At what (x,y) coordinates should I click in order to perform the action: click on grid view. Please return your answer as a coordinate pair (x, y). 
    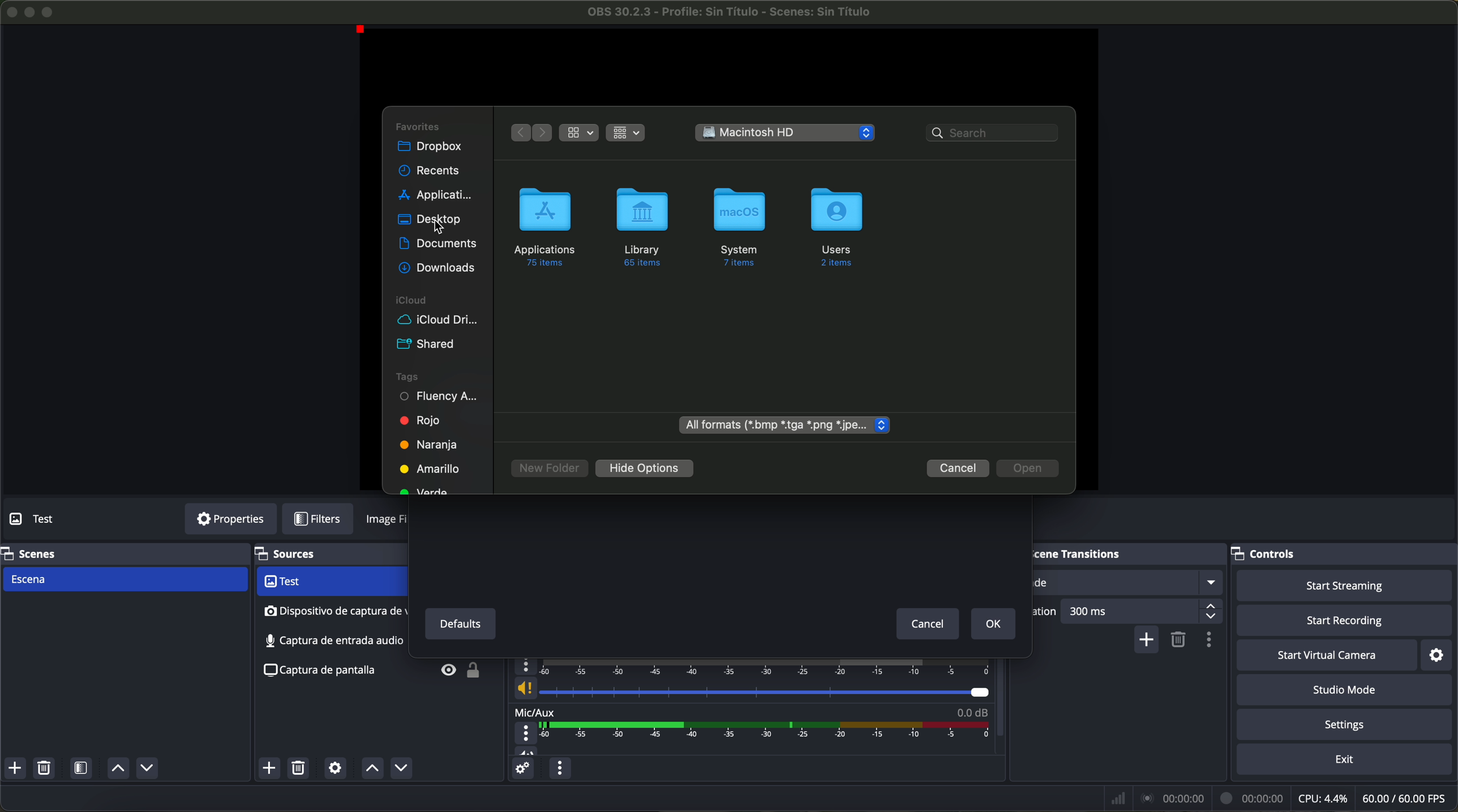
    Looking at the image, I should click on (626, 134).